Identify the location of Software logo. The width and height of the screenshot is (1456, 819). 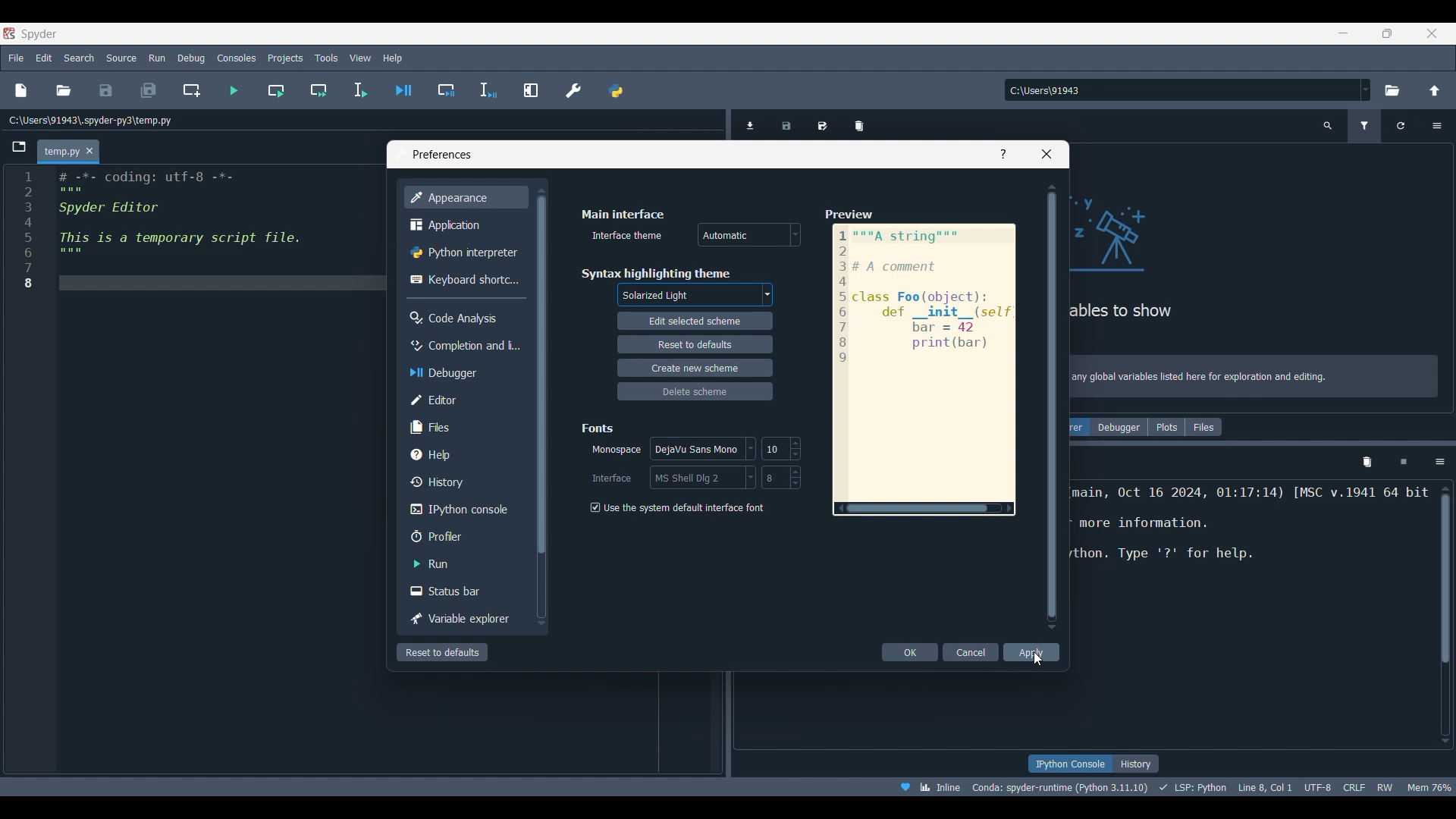
(9, 33).